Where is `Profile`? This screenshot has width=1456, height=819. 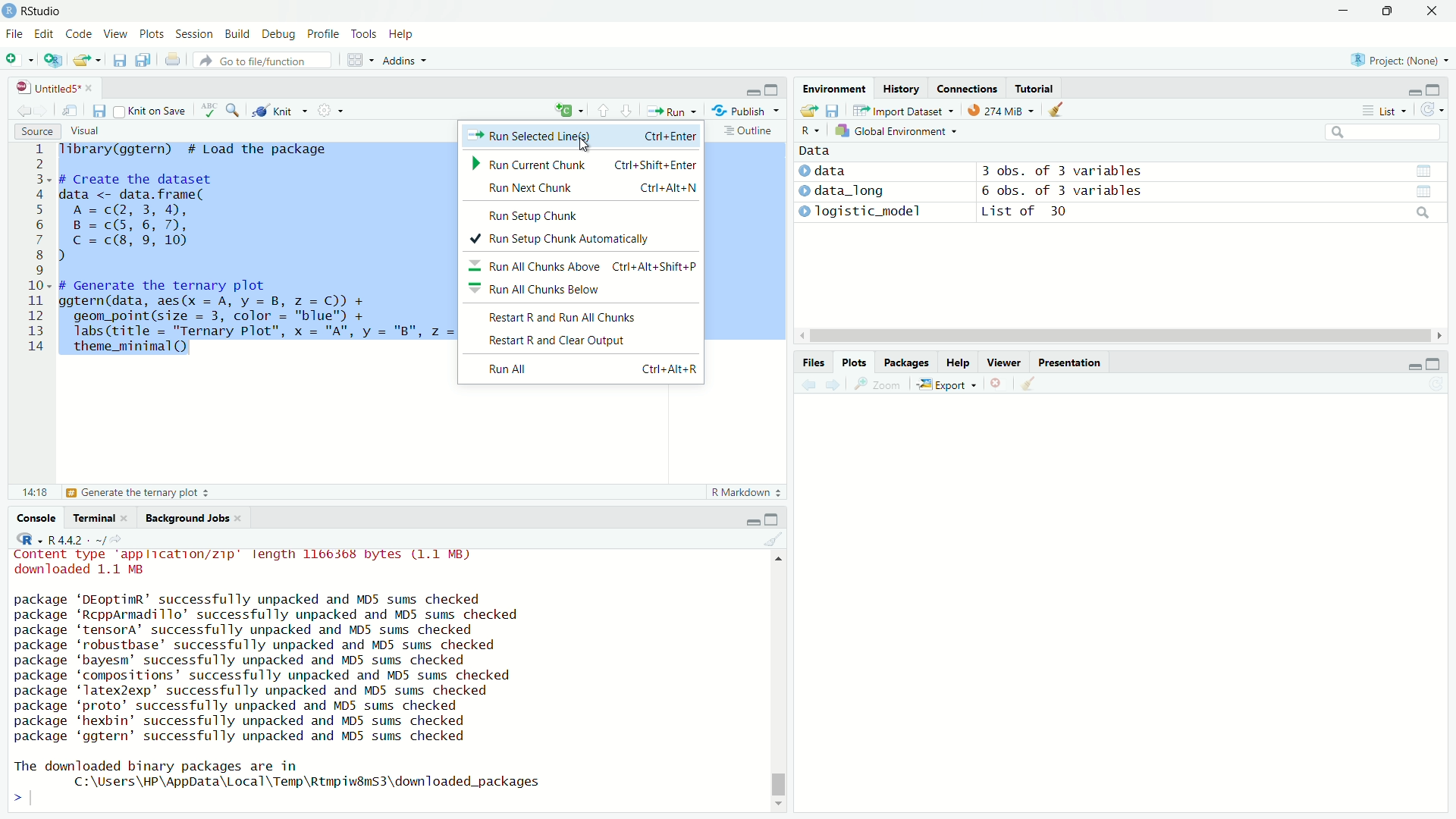 Profile is located at coordinates (321, 34).